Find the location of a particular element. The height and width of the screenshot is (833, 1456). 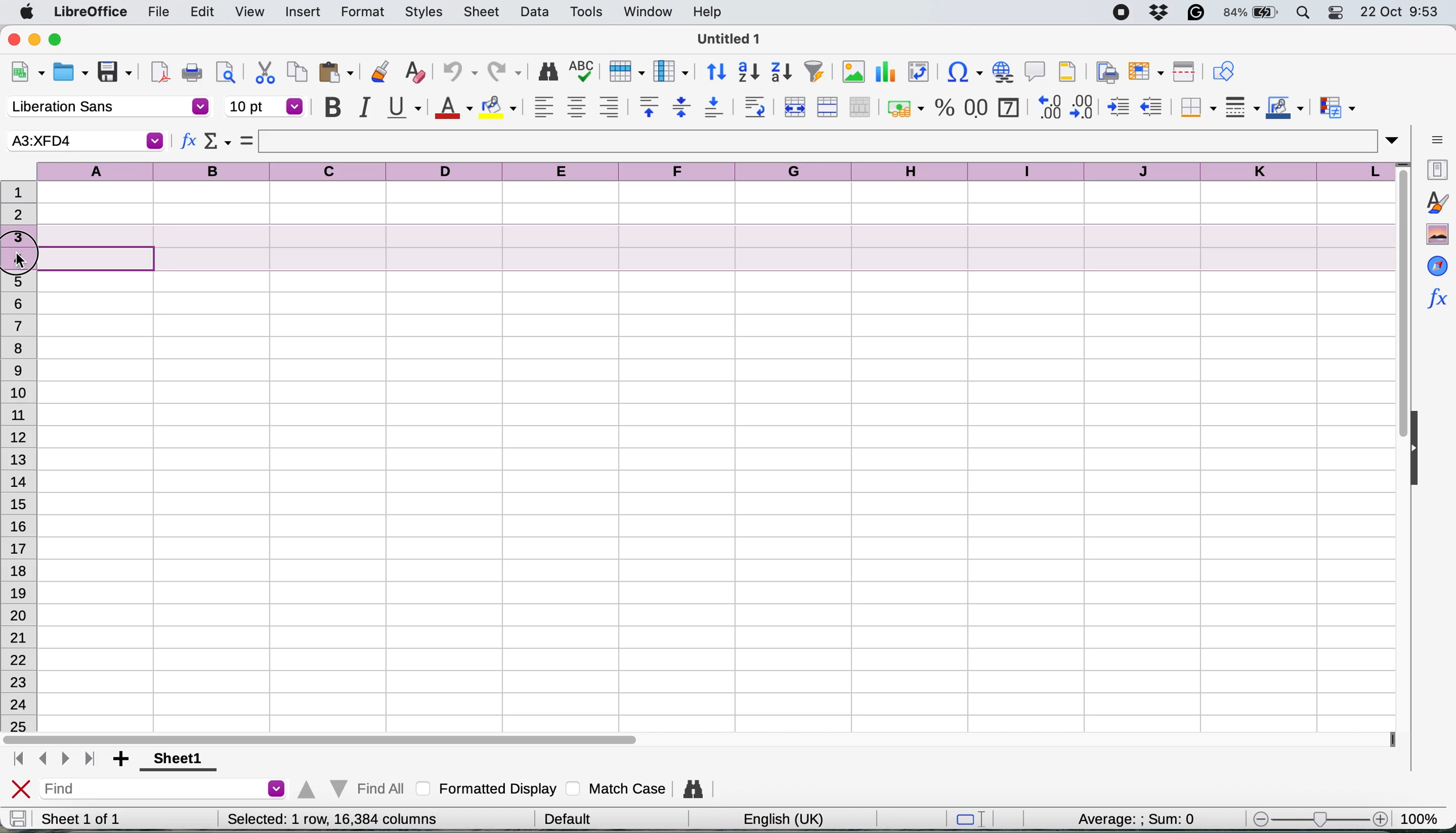

row is located at coordinates (624, 70).